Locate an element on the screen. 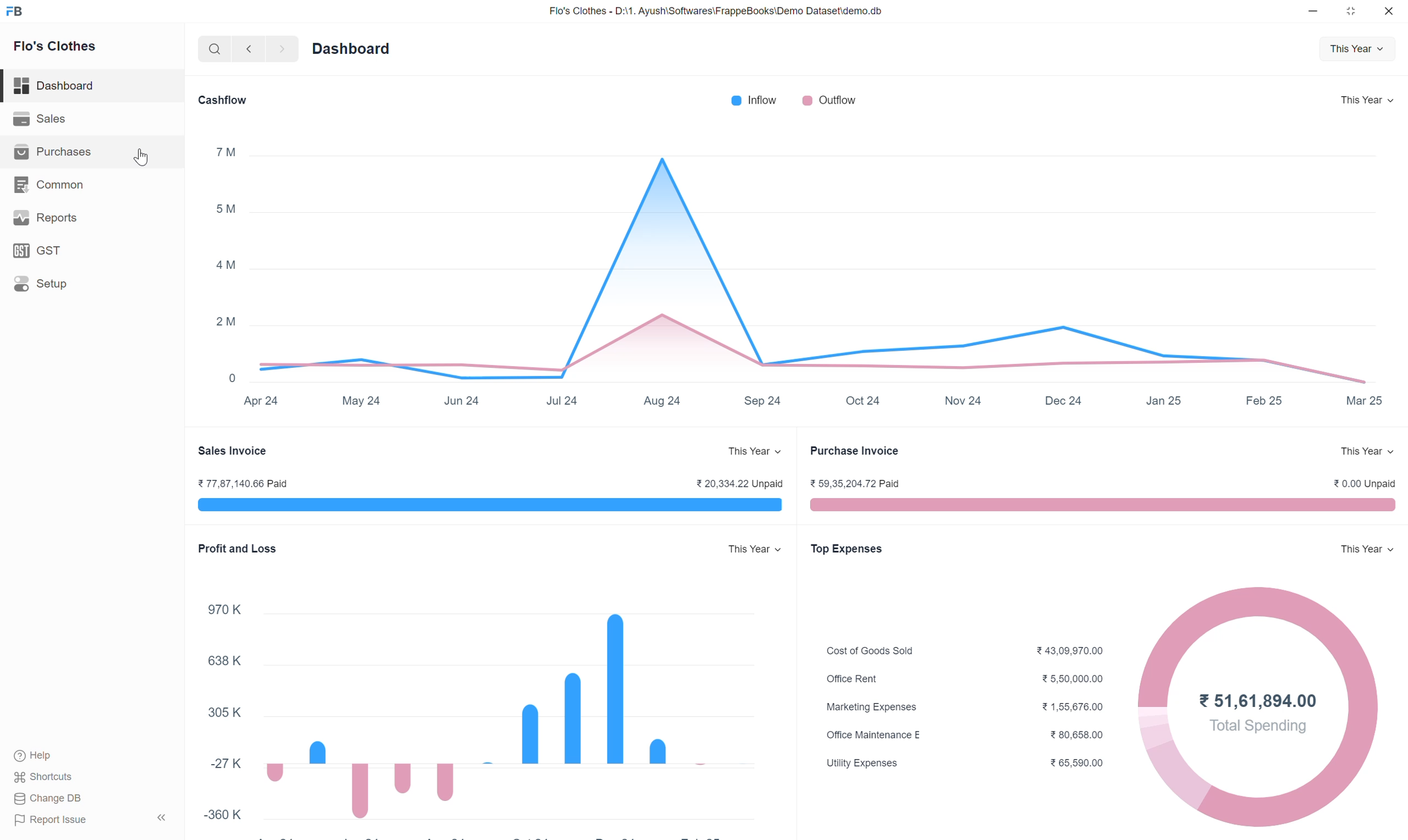 This screenshot has width=1408, height=840. graph is located at coordinates (822, 253).